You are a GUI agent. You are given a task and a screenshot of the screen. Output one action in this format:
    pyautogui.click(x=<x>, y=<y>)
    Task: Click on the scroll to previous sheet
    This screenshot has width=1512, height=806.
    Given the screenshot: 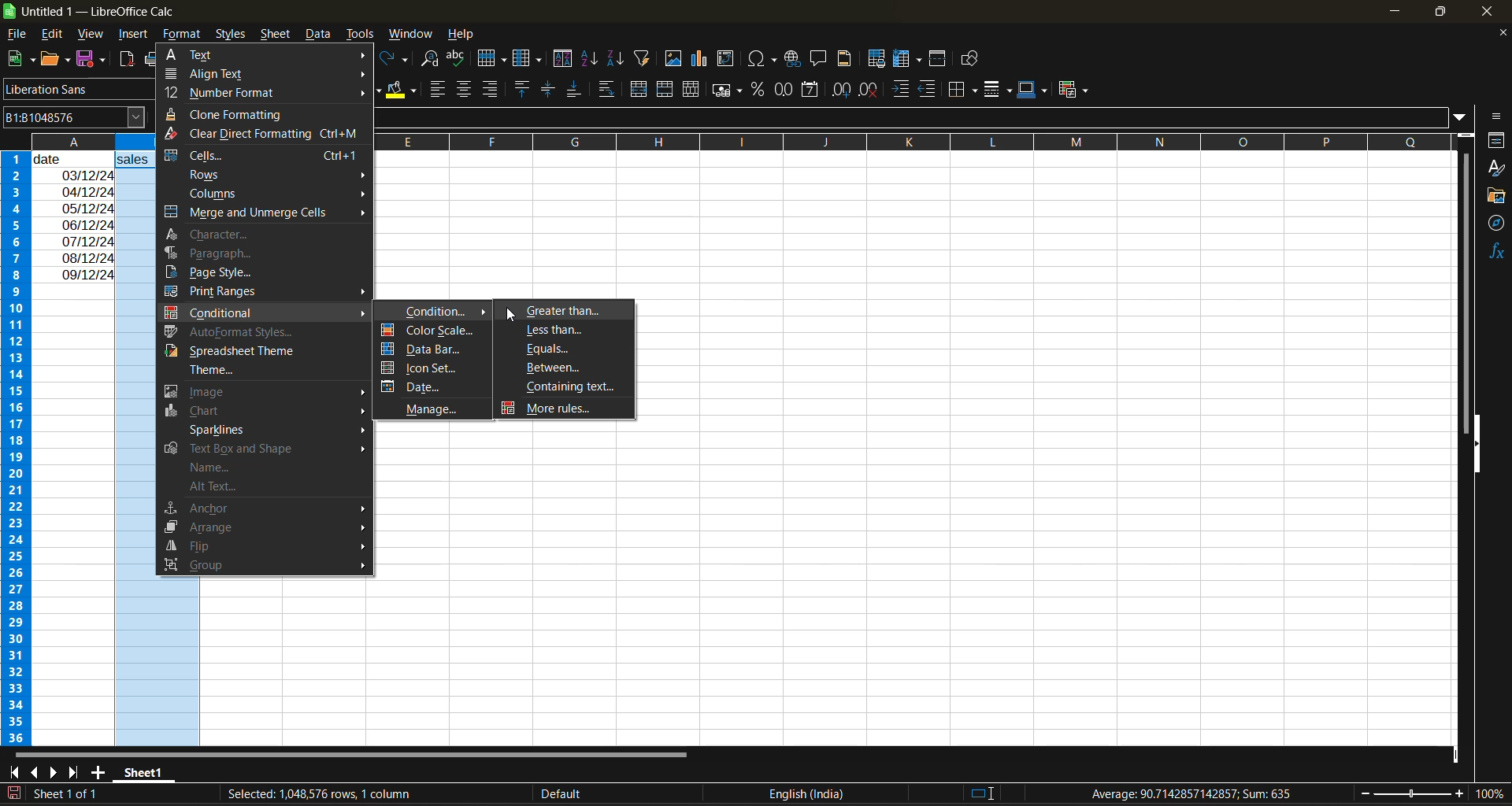 What is the action you would take?
    pyautogui.click(x=32, y=771)
    